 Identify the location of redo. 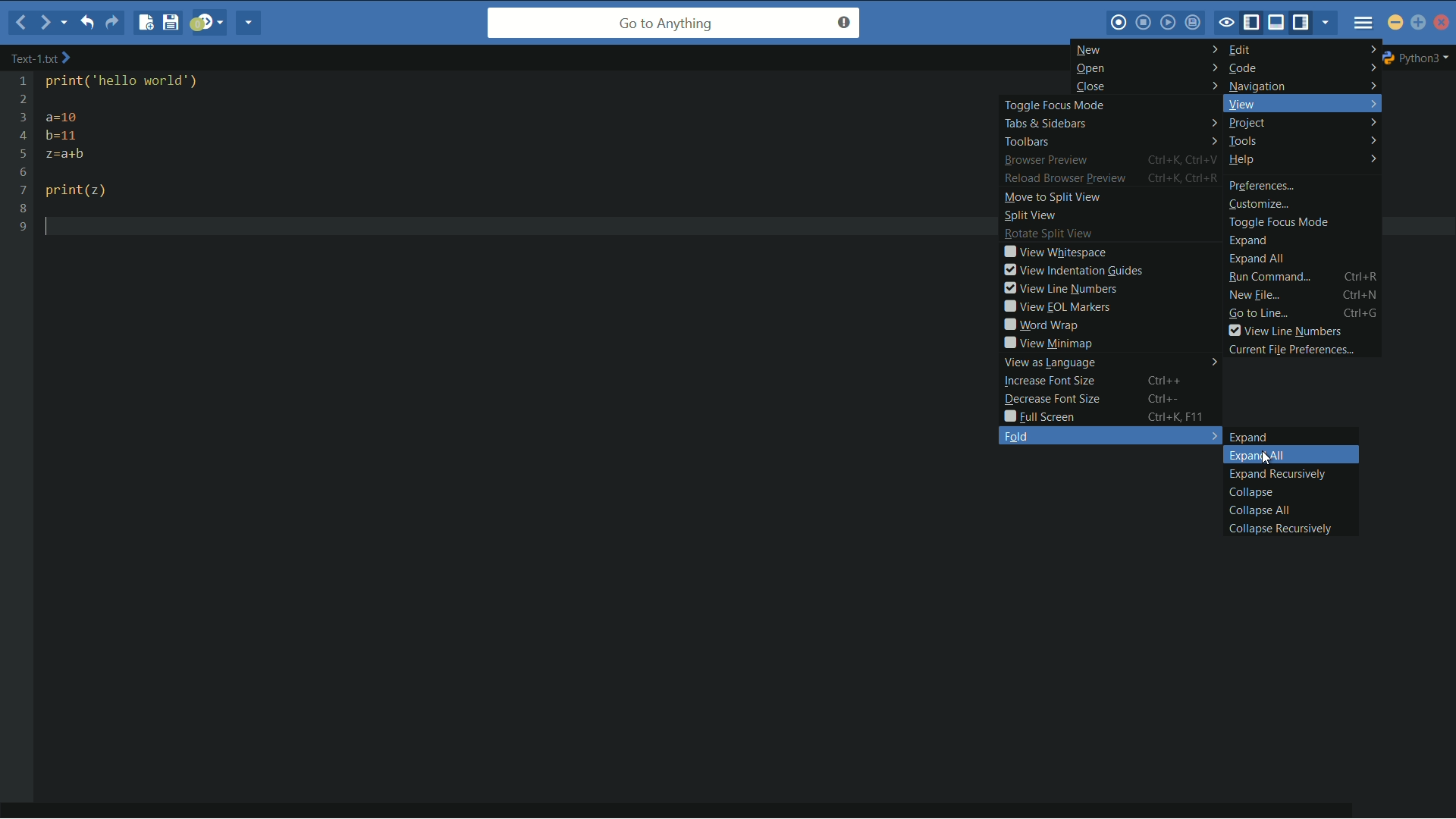
(114, 23).